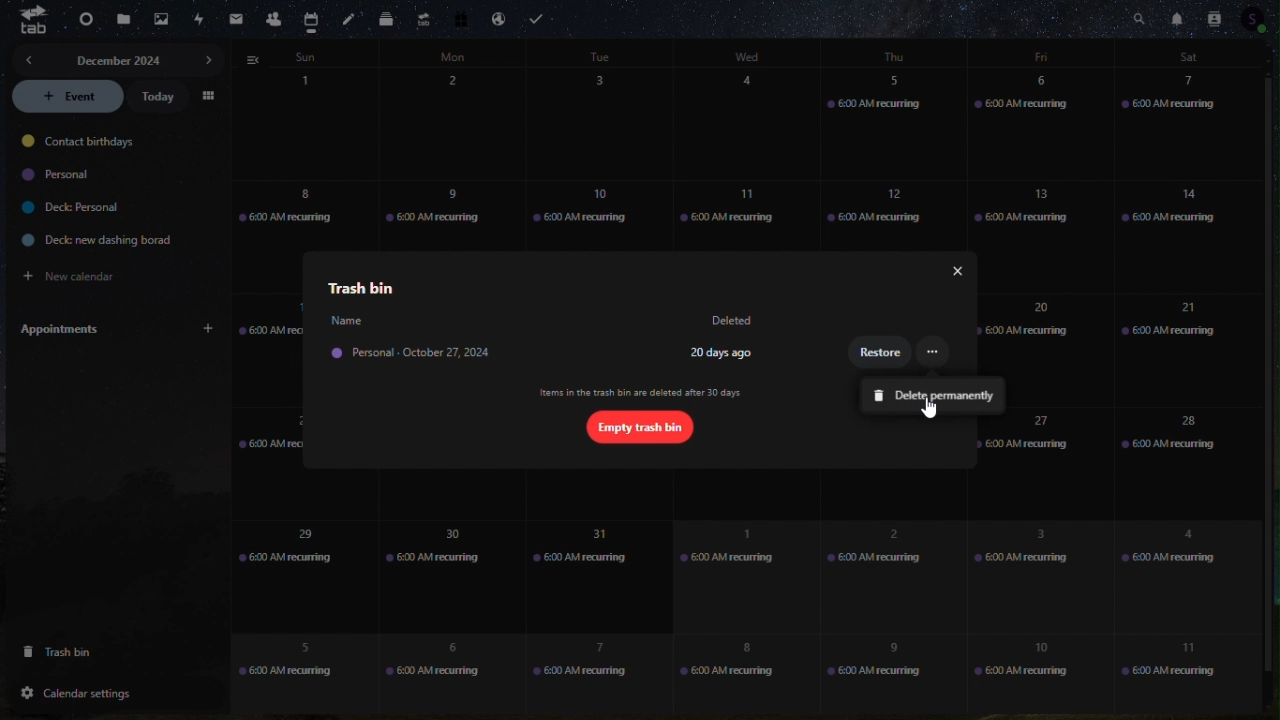 This screenshot has width=1280, height=720. I want to click on 8, so click(286, 212).